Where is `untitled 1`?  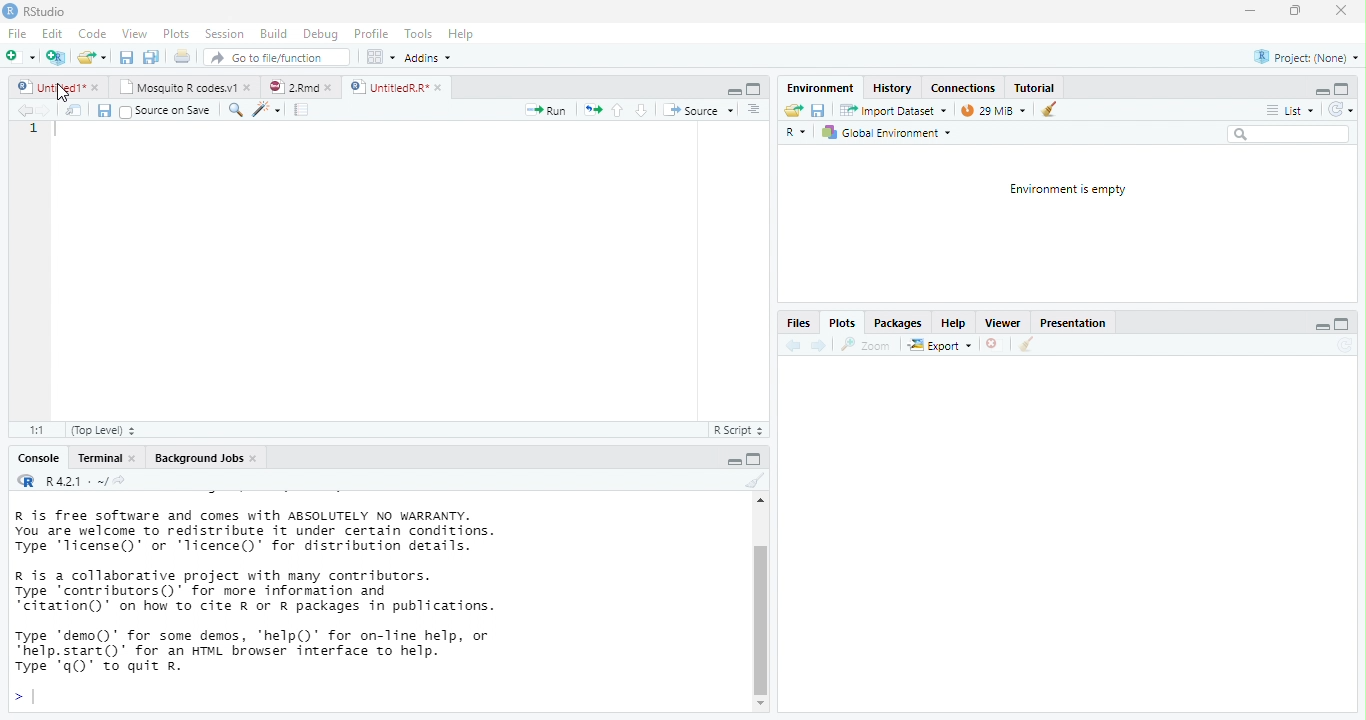 untitled 1 is located at coordinates (46, 86).